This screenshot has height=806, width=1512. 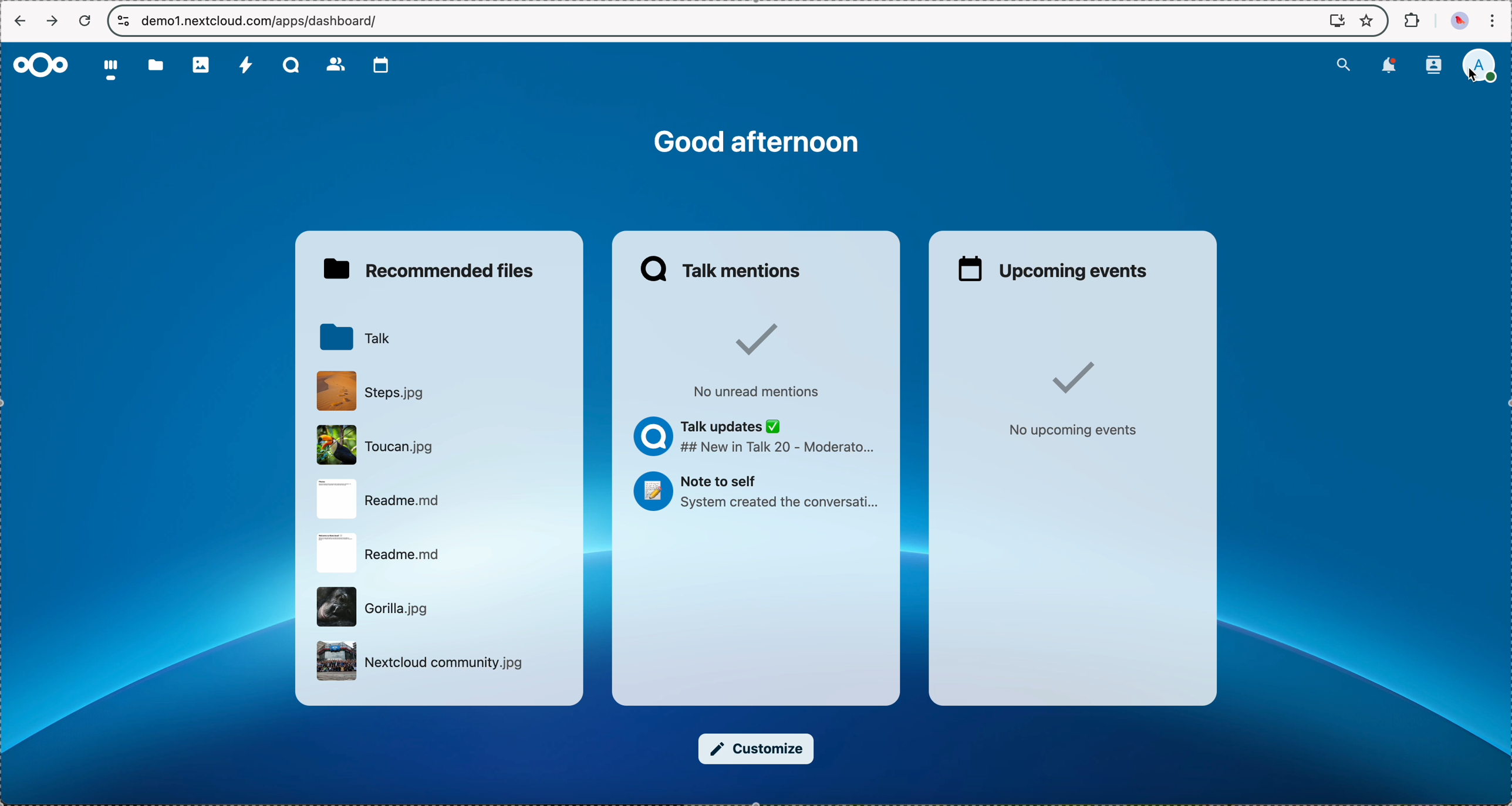 What do you see at coordinates (86, 21) in the screenshot?
I see `refresh the page` at bounding box center [86, 21].